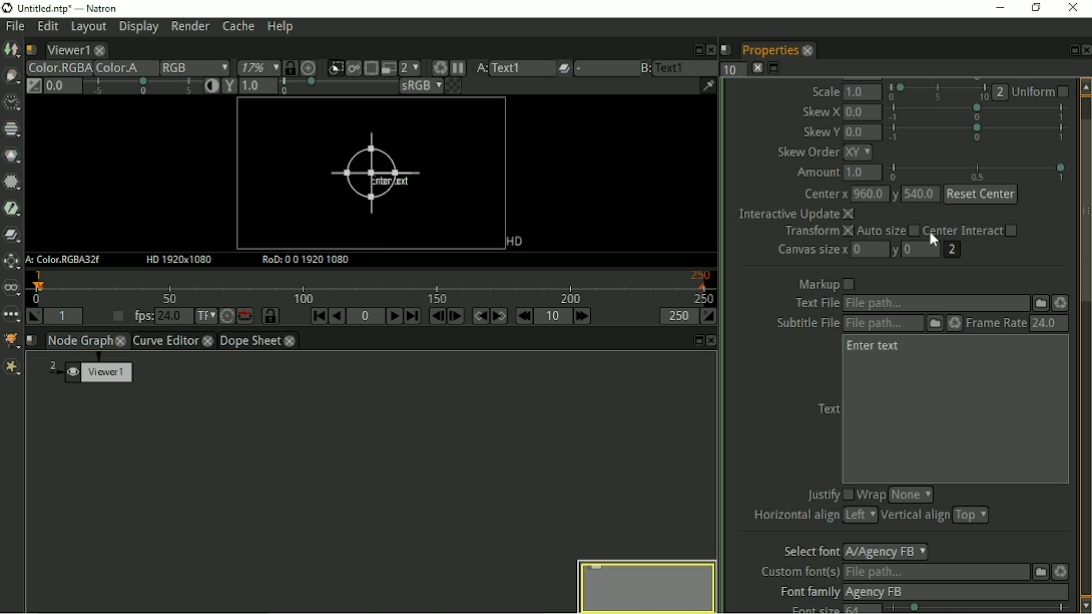  What do you see at coordinates (80, 341) in the screenshot?
I see `Node Graph` at bounding box center [80, 341].